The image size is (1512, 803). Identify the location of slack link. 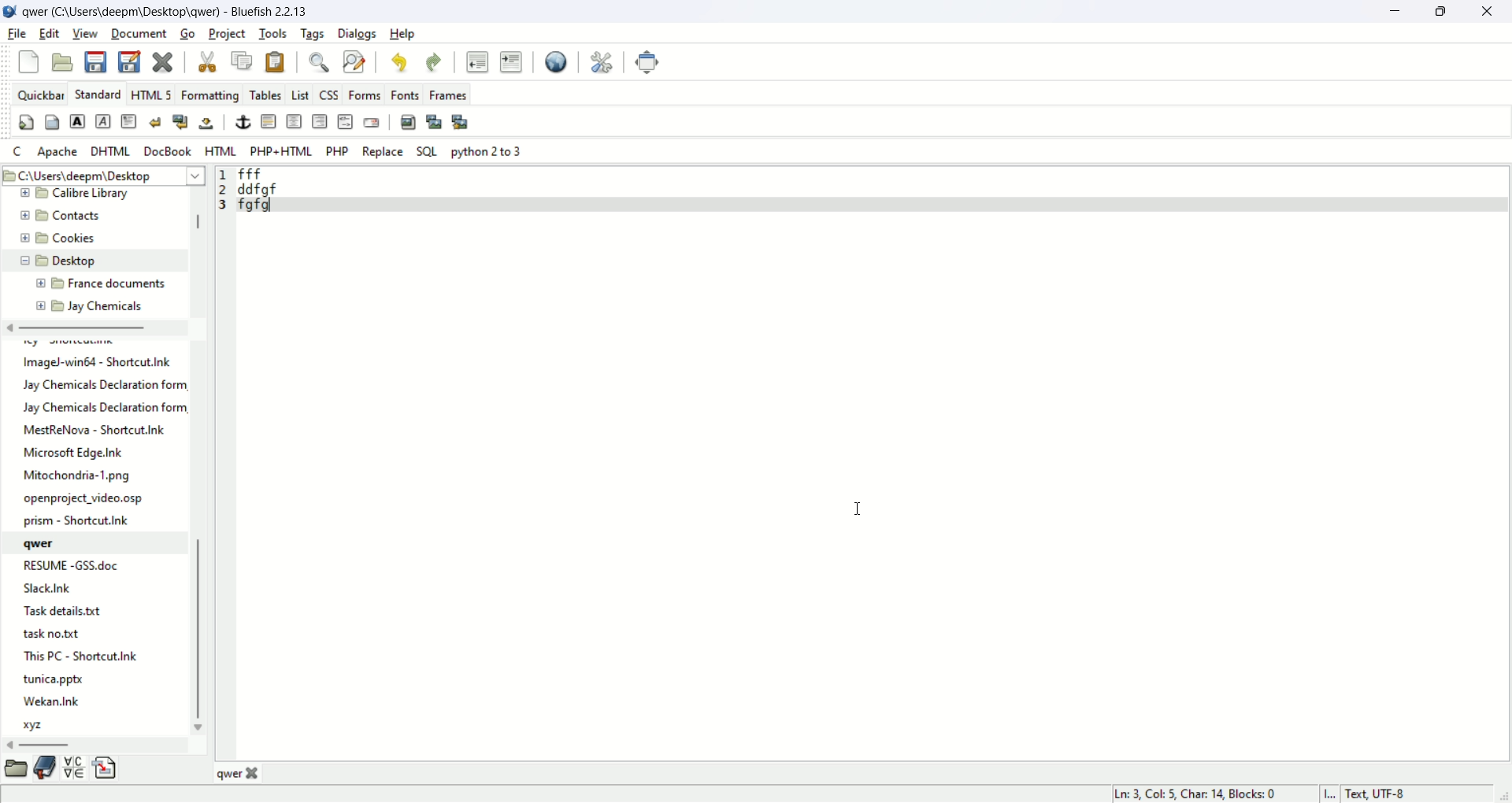
(54, 589).